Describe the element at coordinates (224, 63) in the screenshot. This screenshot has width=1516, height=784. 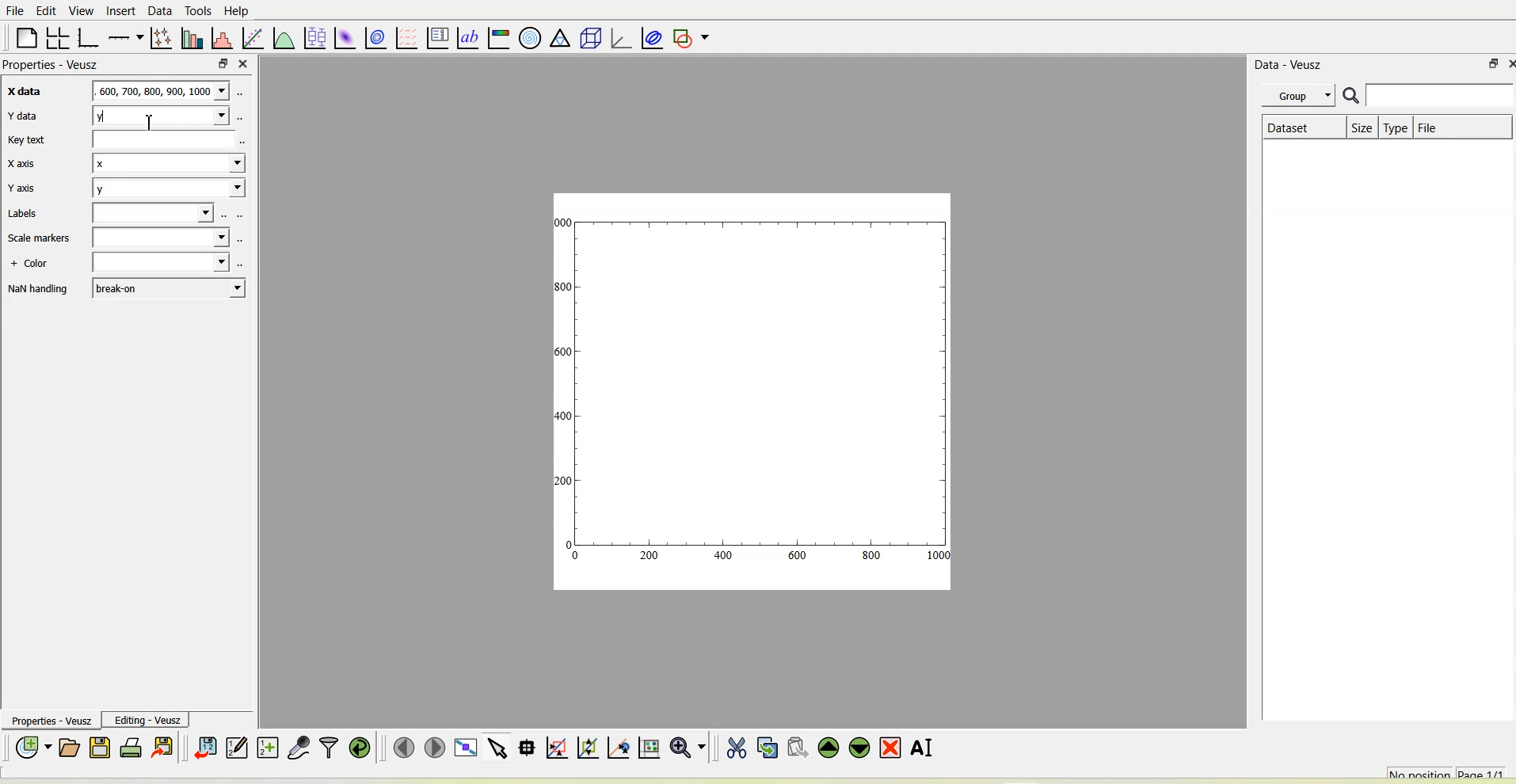
I see `float panel` at that location.